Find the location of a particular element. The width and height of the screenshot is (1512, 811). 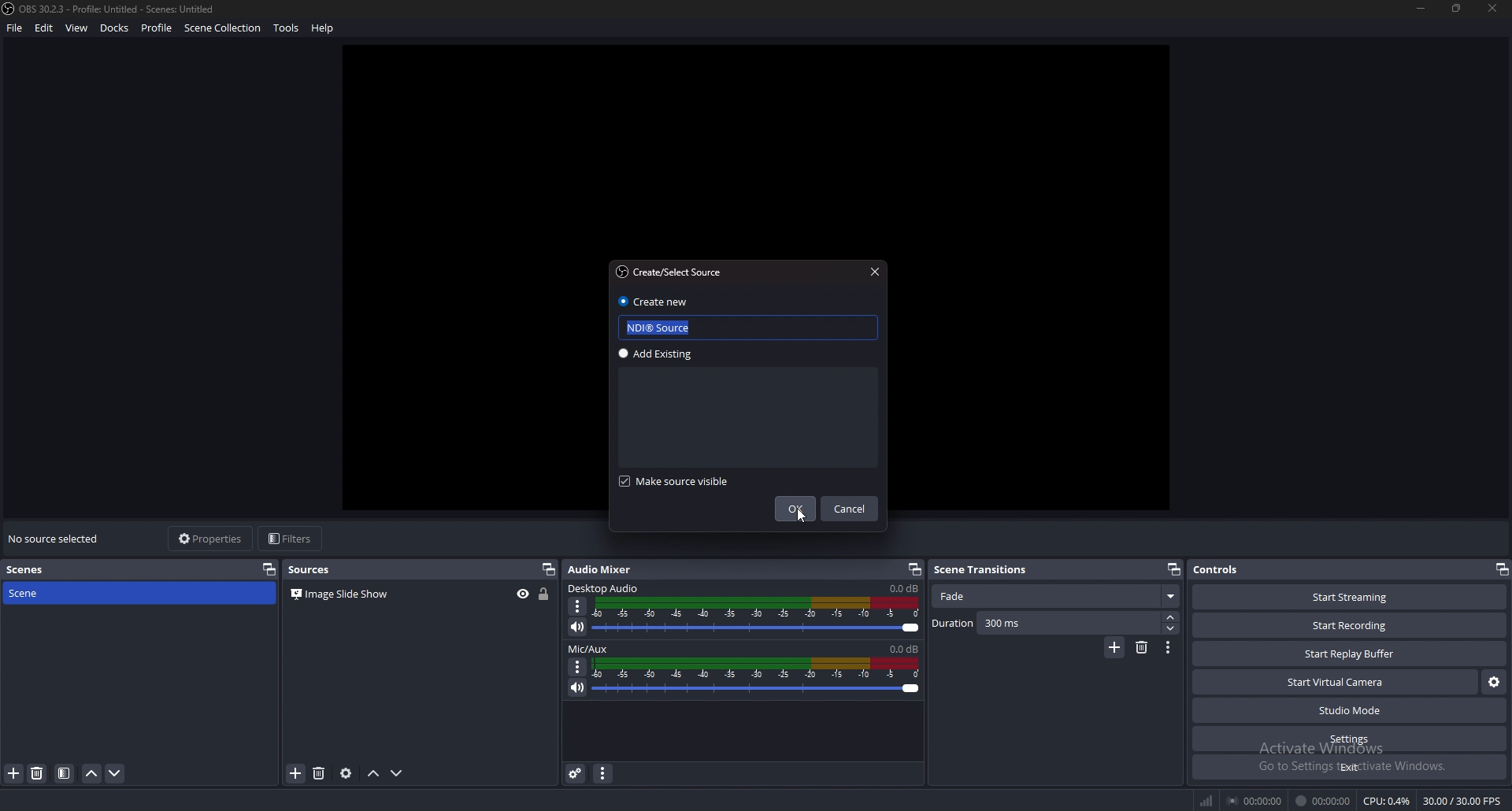

scene transitions is located at coordinates (984, 570).